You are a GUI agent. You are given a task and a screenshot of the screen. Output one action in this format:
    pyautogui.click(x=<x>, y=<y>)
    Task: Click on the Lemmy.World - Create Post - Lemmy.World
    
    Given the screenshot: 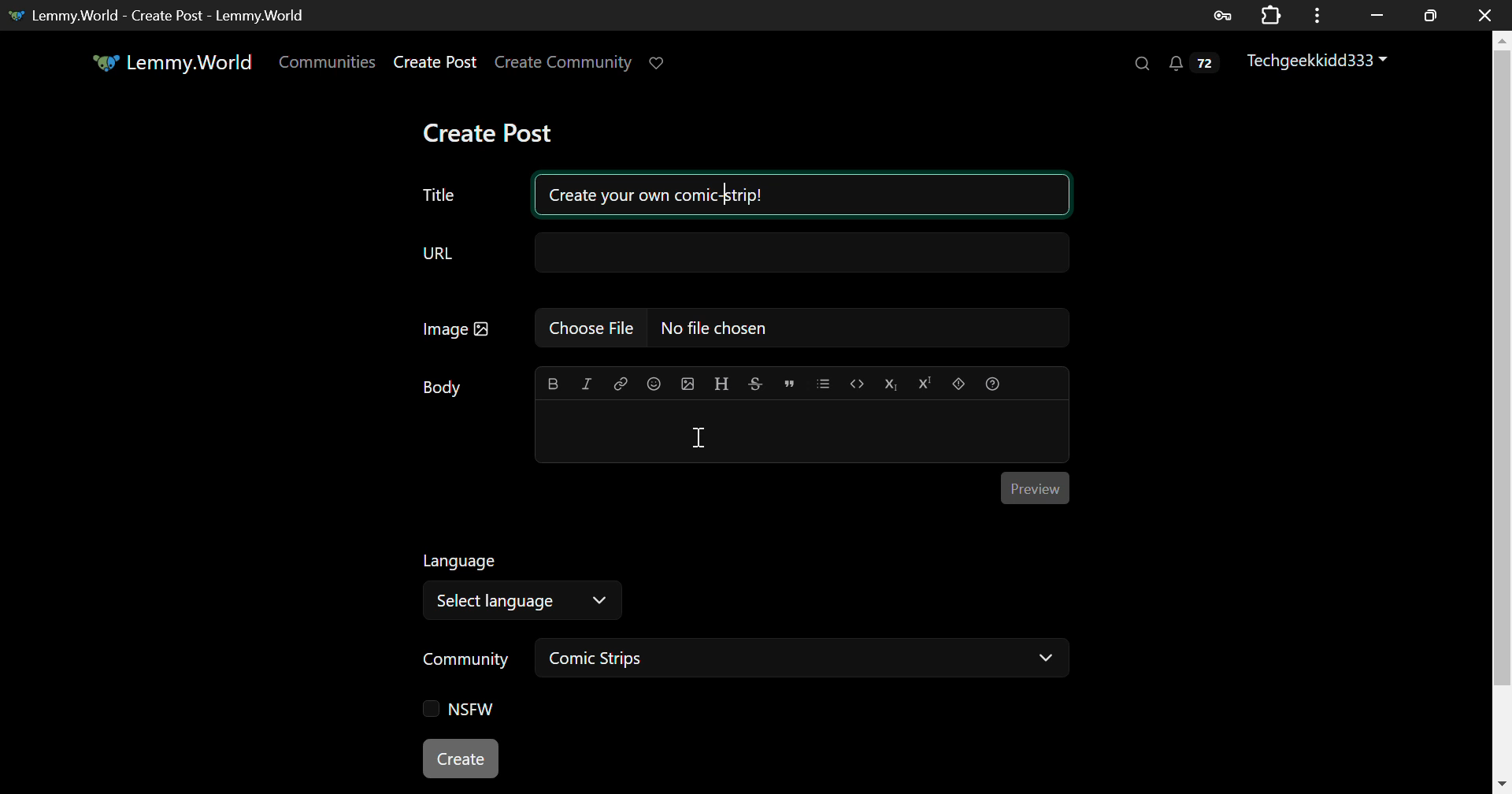 What is the action you would take?
    pyautogui.click(x=164, y=15)
    